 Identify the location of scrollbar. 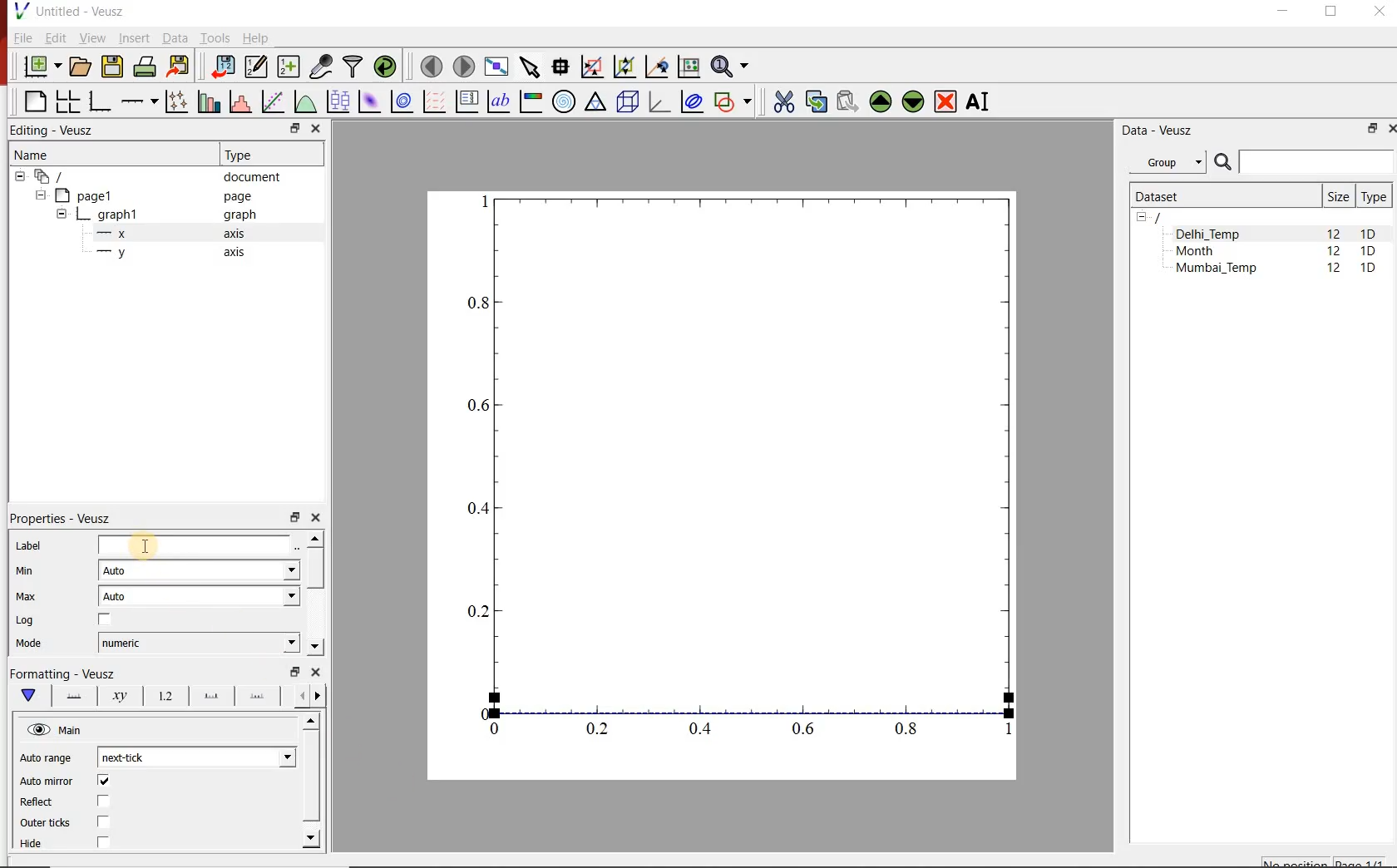
(314, 594).